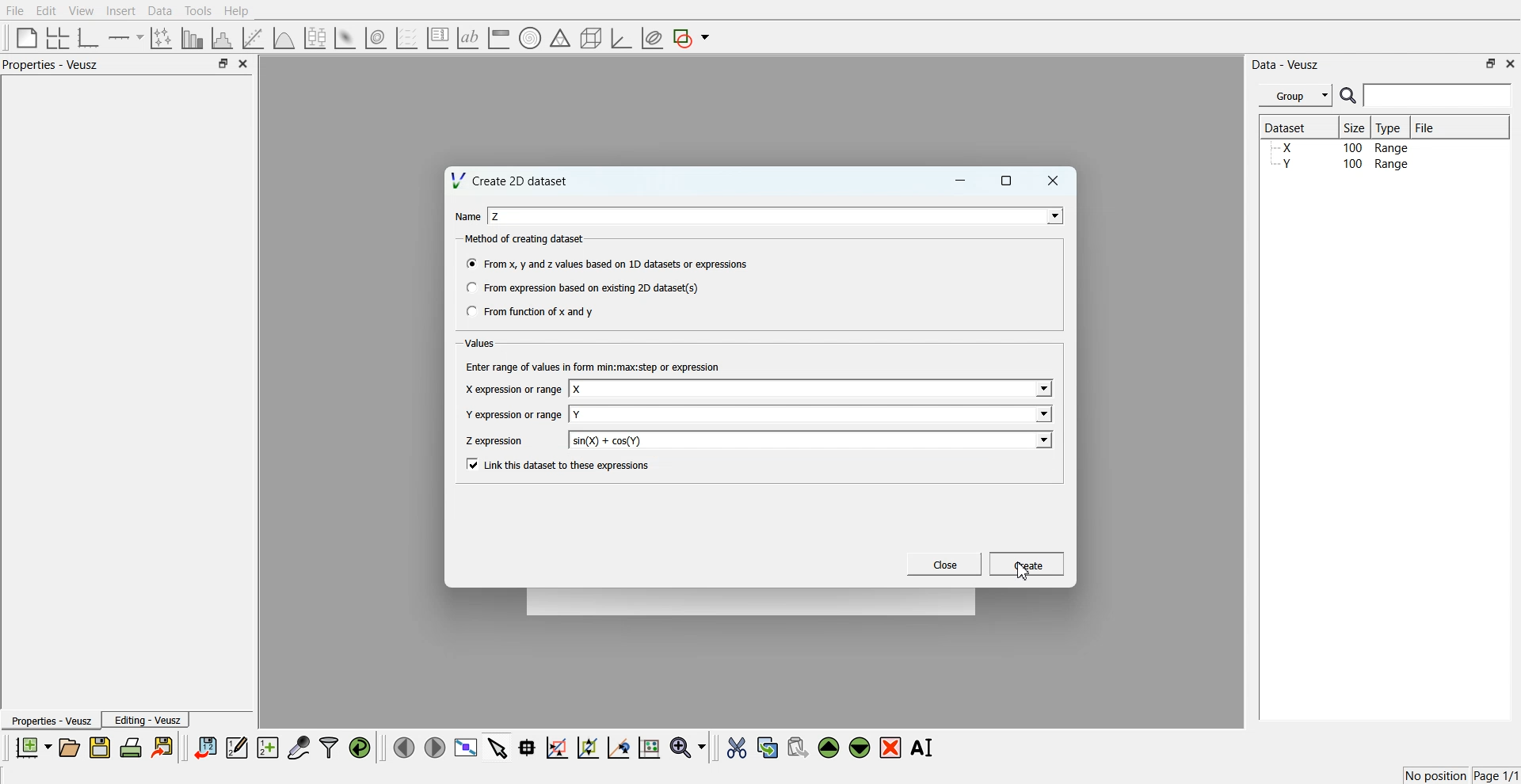 The height and width of the screenshot is (784, 1521). Describe the element at coordinates (244, 63) in the screenshot. I see `Close` at that location.